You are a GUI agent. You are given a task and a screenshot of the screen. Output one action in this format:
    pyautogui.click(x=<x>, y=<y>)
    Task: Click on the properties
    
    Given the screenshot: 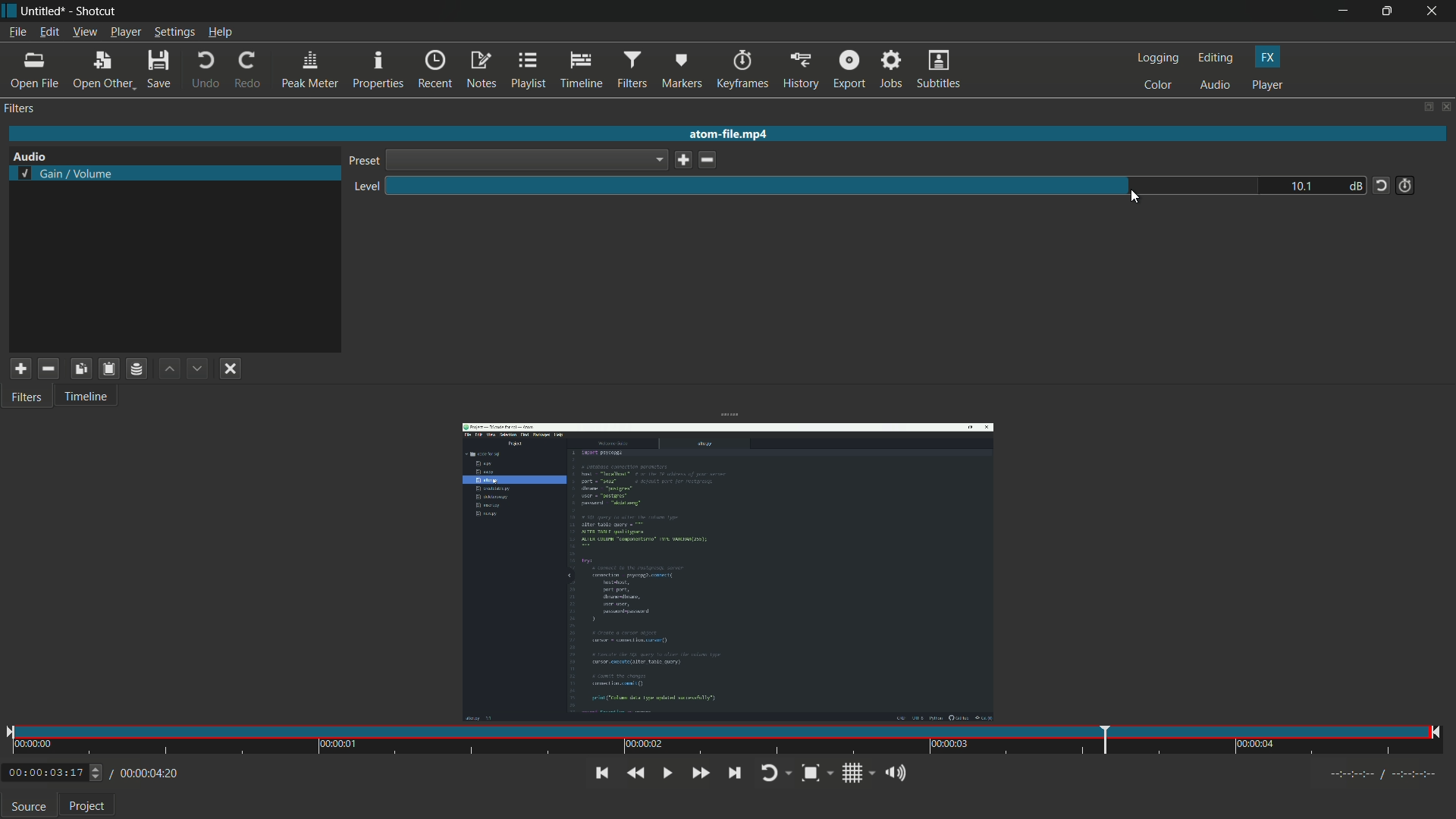 What is the action you would take?
    pyautogui.click(x=378, y=70)
    